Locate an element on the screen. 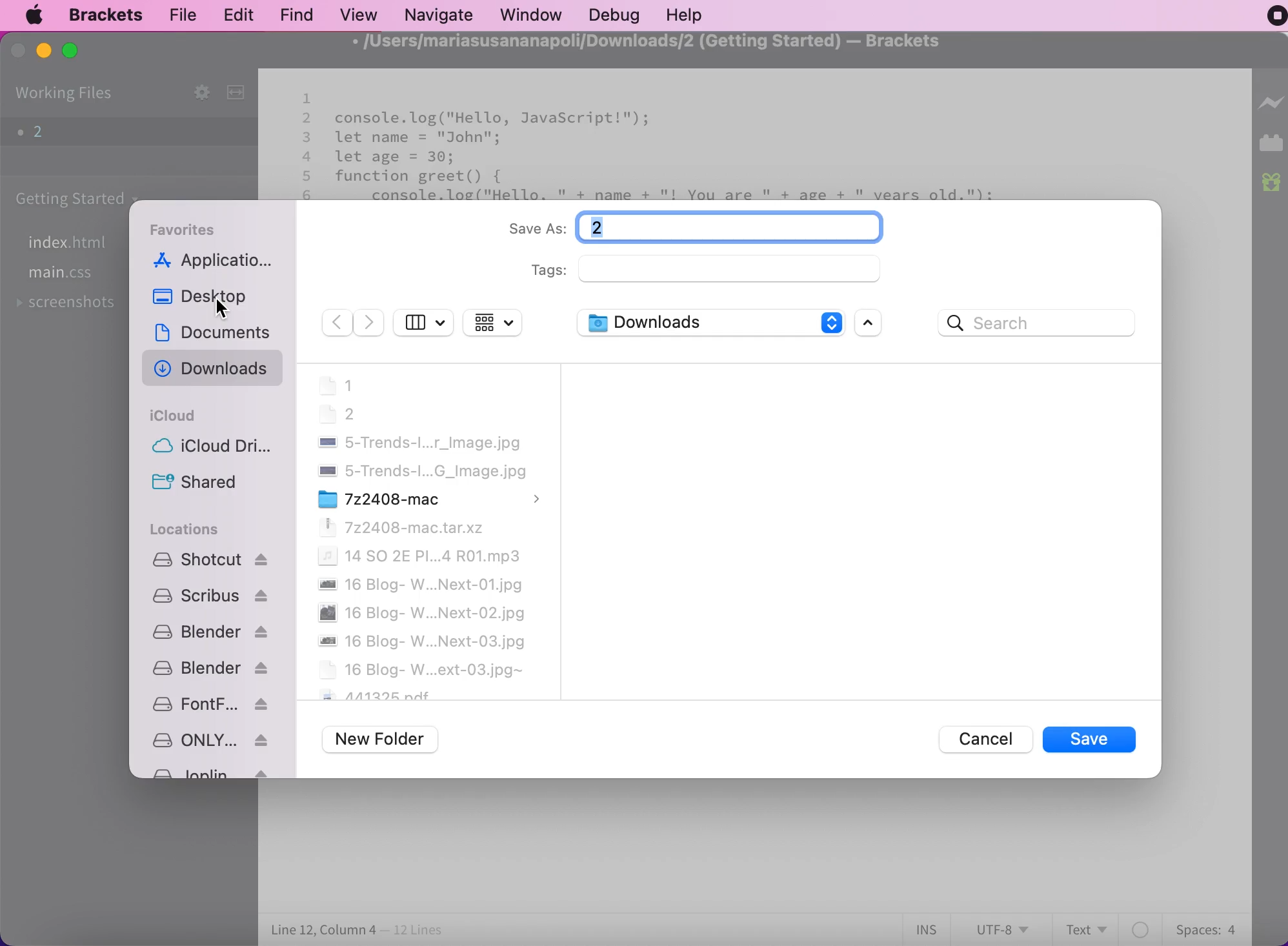 The height and width of the screenshot is (946, 1288). minimize is located at coordinates (43, 51).